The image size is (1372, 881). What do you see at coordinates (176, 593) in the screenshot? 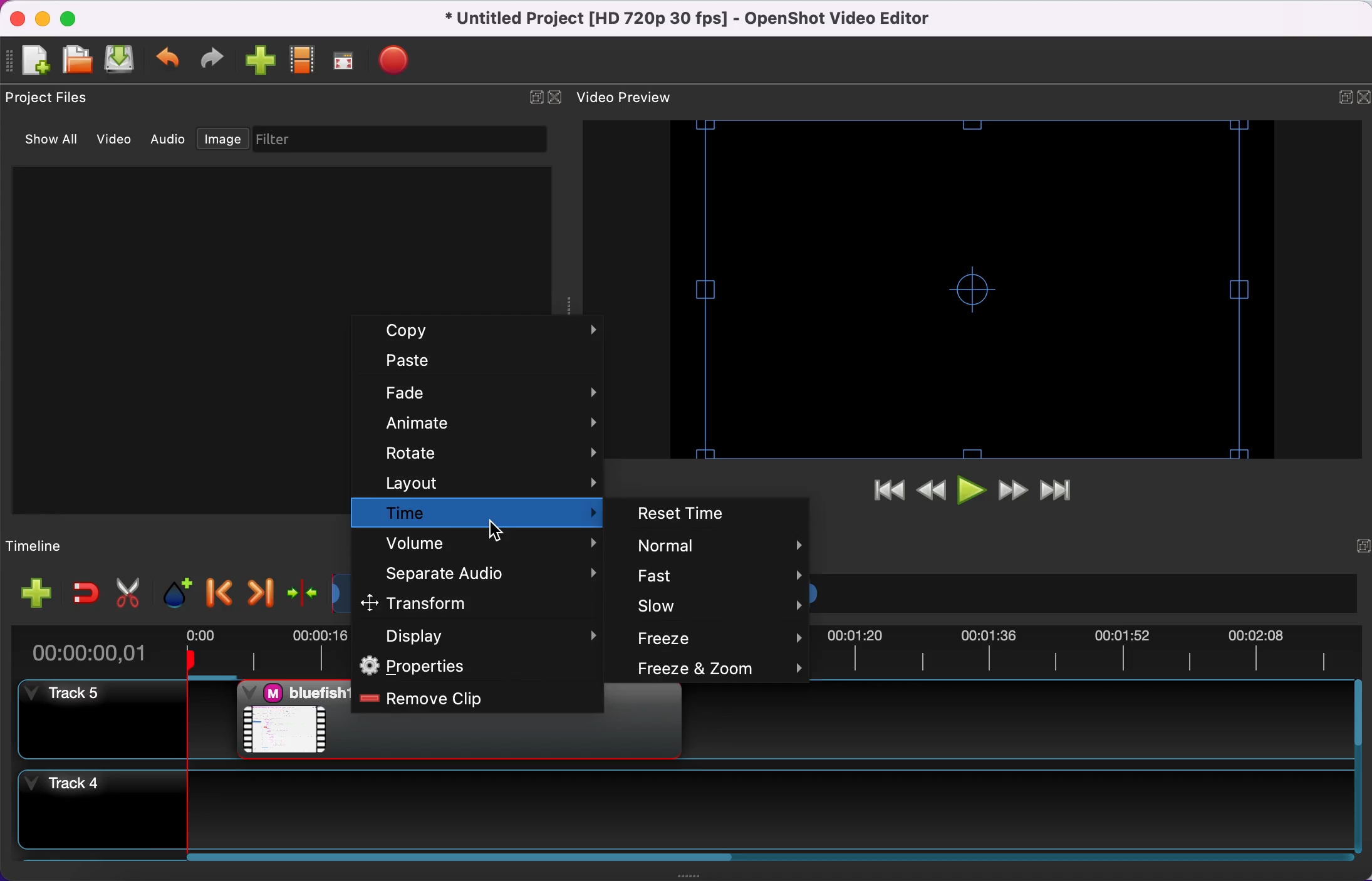
I see `add marker` at bounding box center [176, 593].